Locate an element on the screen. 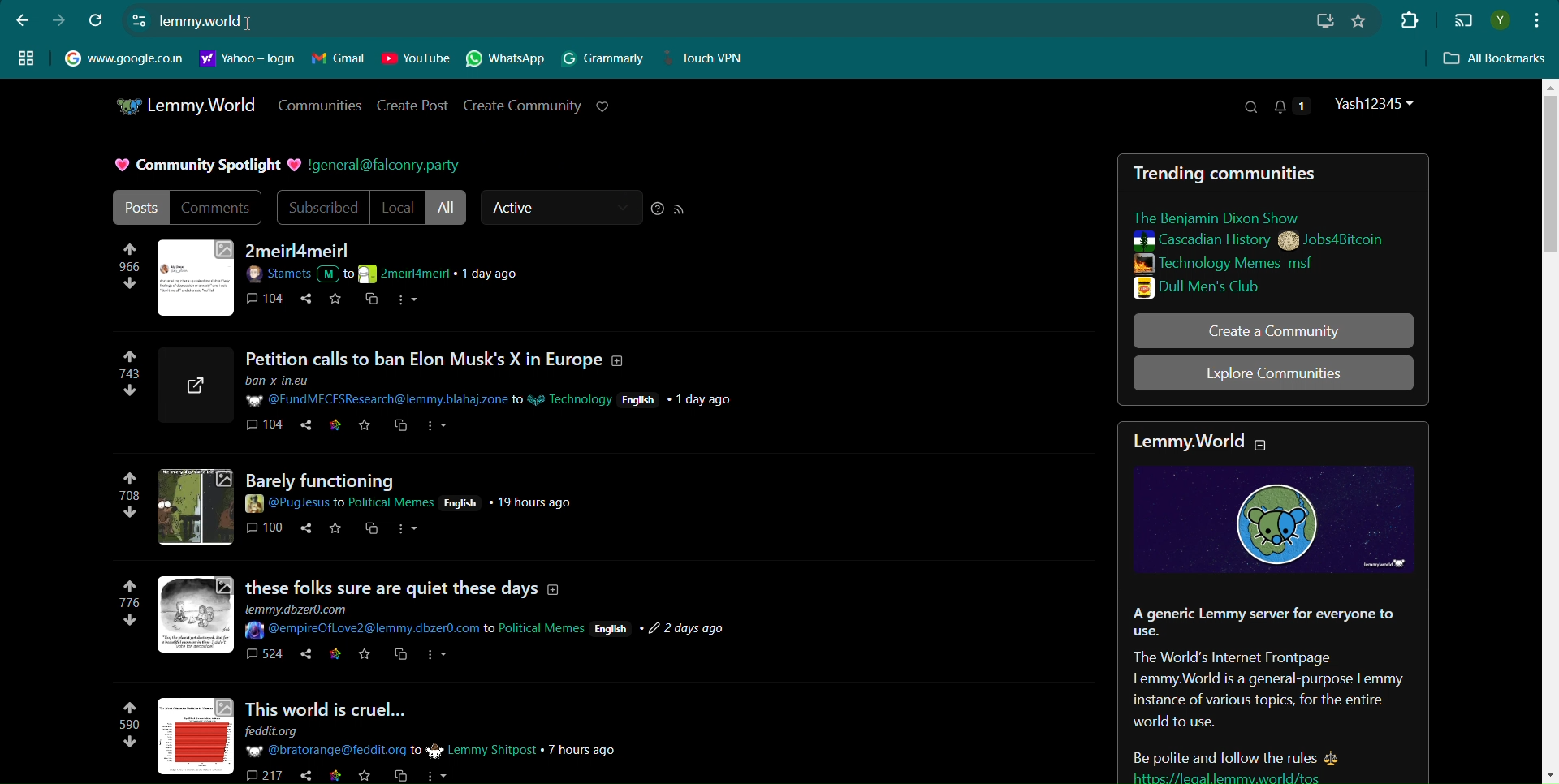 The image size is (1559, 784). @FundMECFSResearch@lemmy.blahaj.zone to Technology English is located at coordinates (491, 392).